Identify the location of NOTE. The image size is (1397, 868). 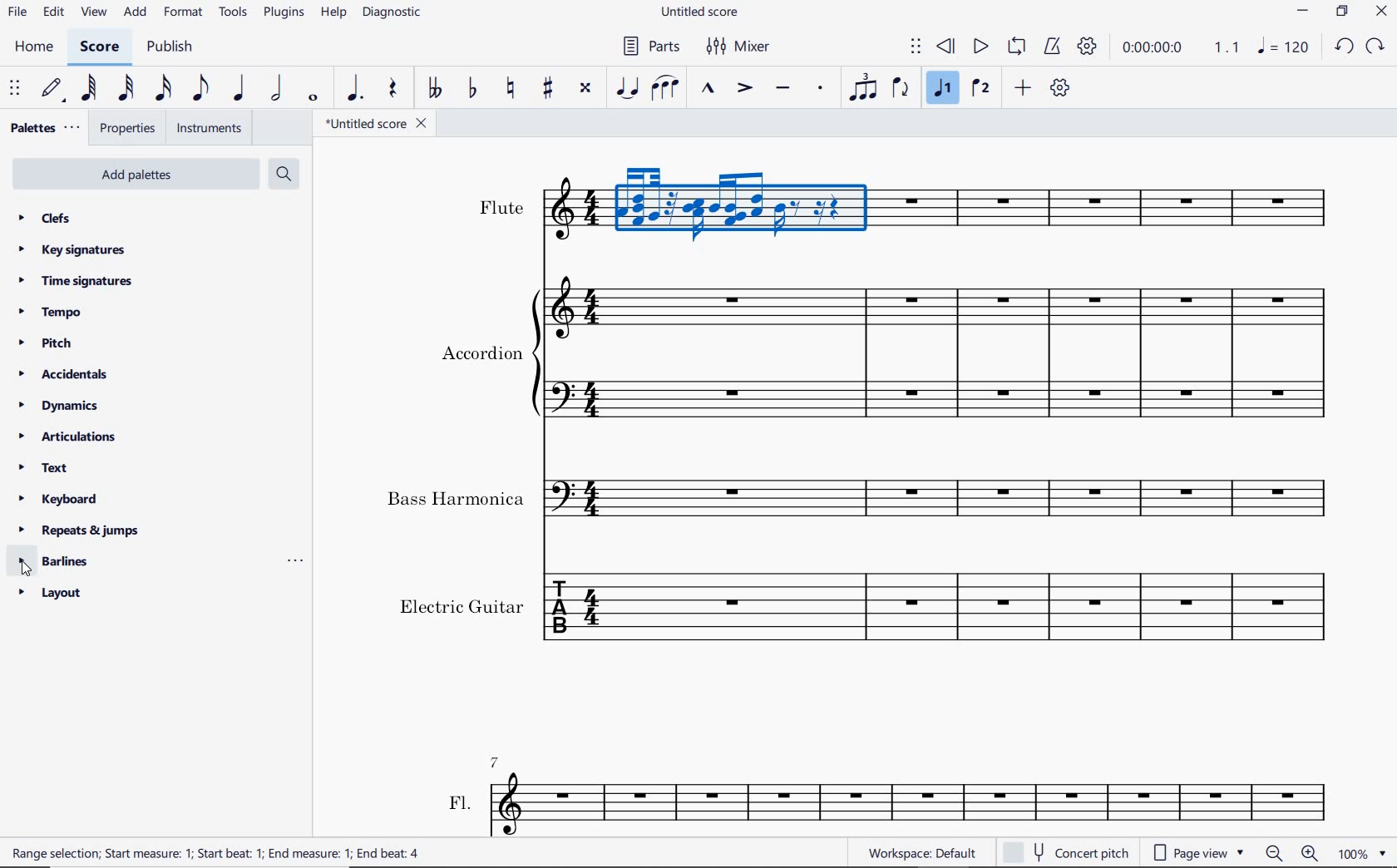
(1282, 47).